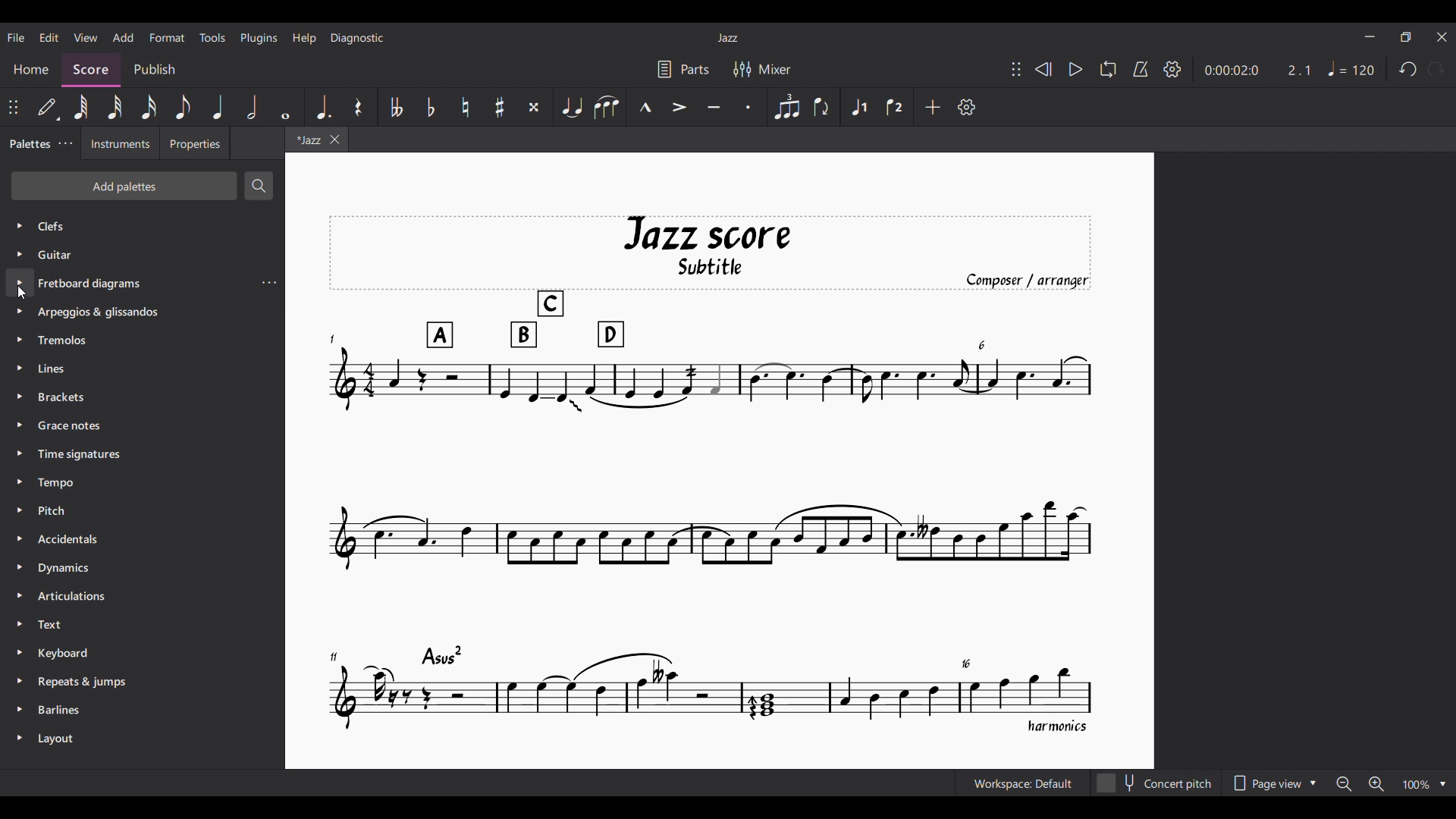 The image size is (1456, 819). Describe the element at coordinates (251, 107) in the screenshot. I see `Half note` at that location.